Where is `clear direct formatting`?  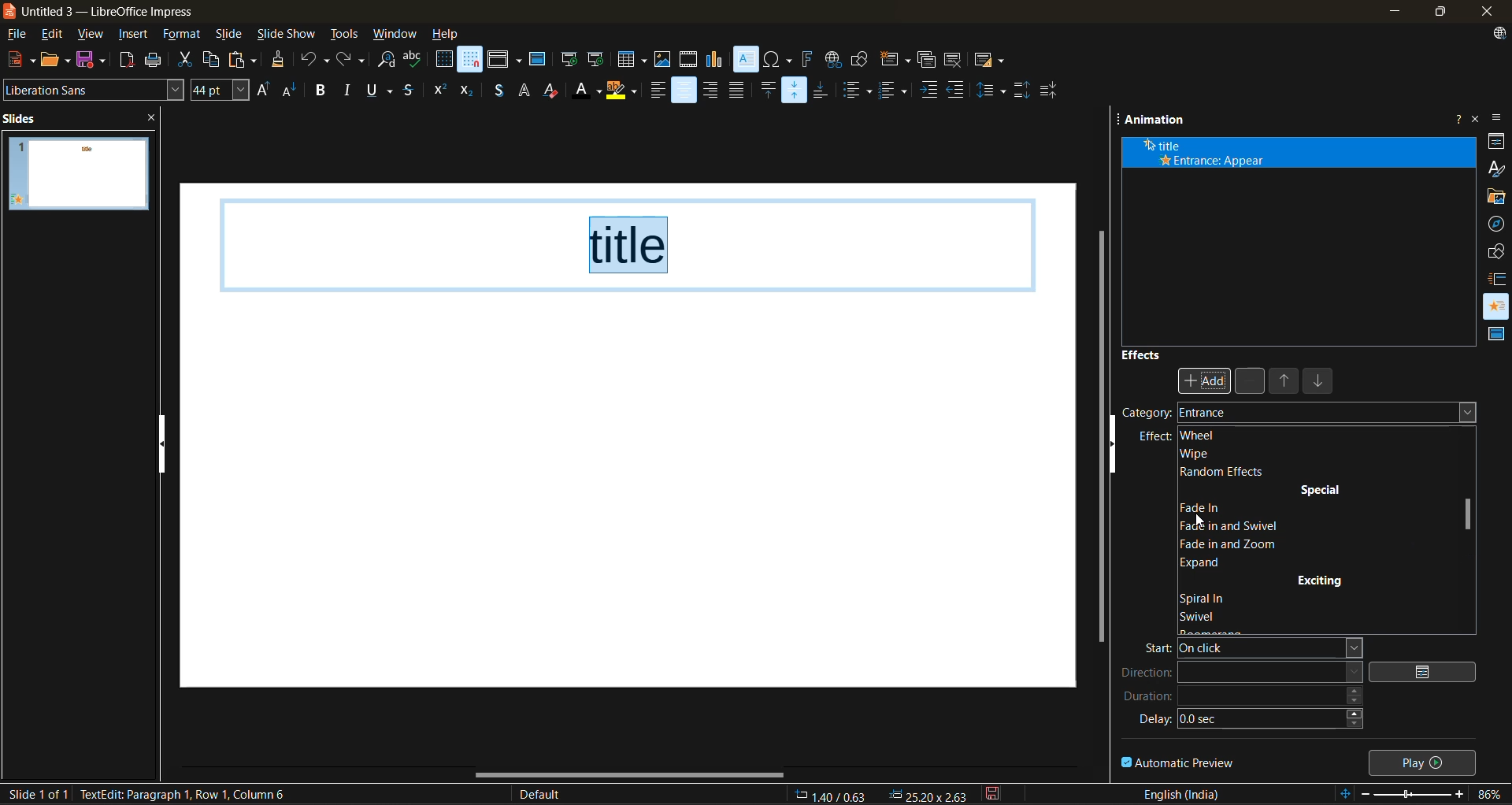 clear direct formatting is located at coordinates (555, 92).